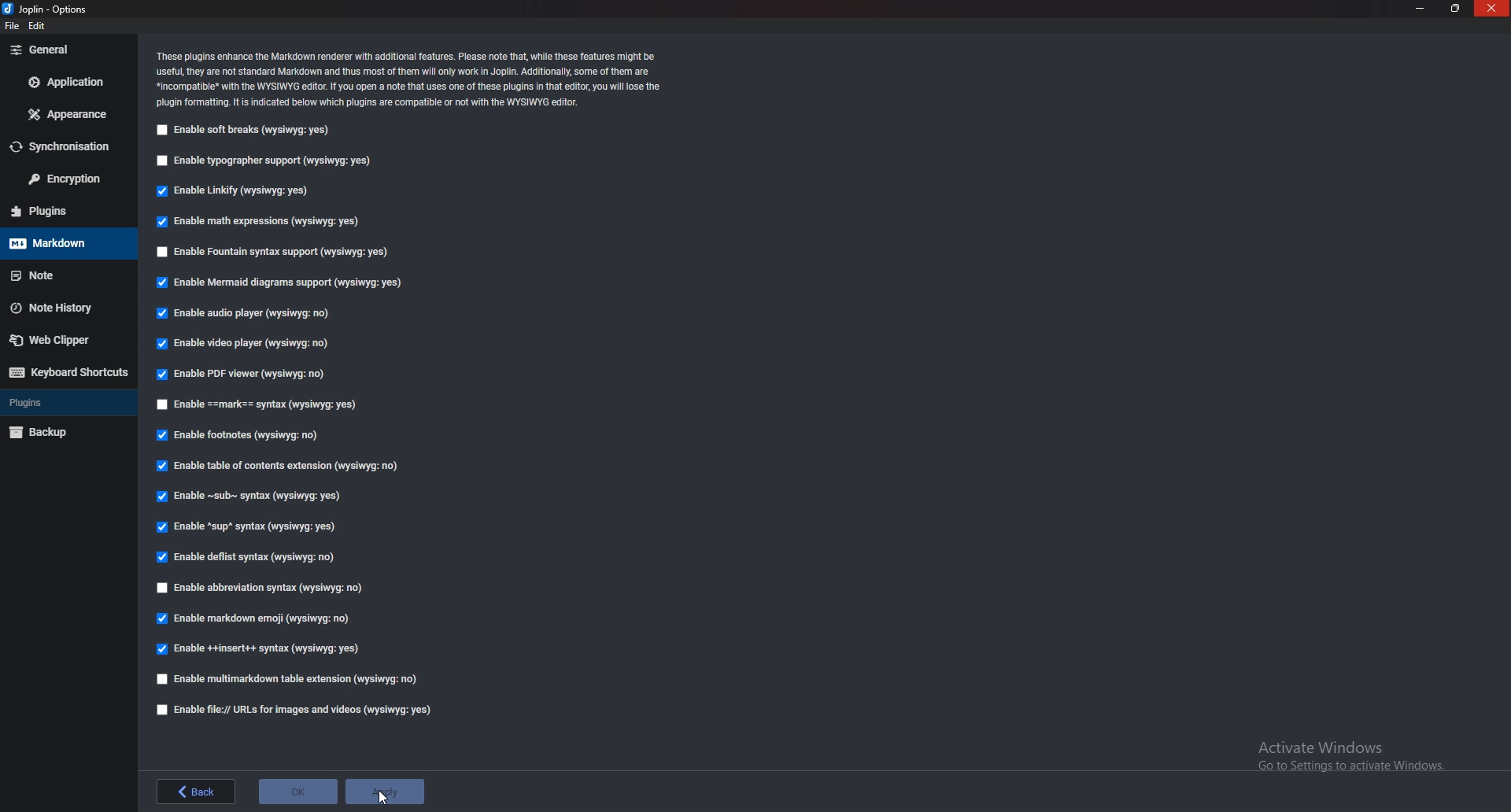 This screenshot has height=812, width=1511. I want to click on note, so click(64, 277).